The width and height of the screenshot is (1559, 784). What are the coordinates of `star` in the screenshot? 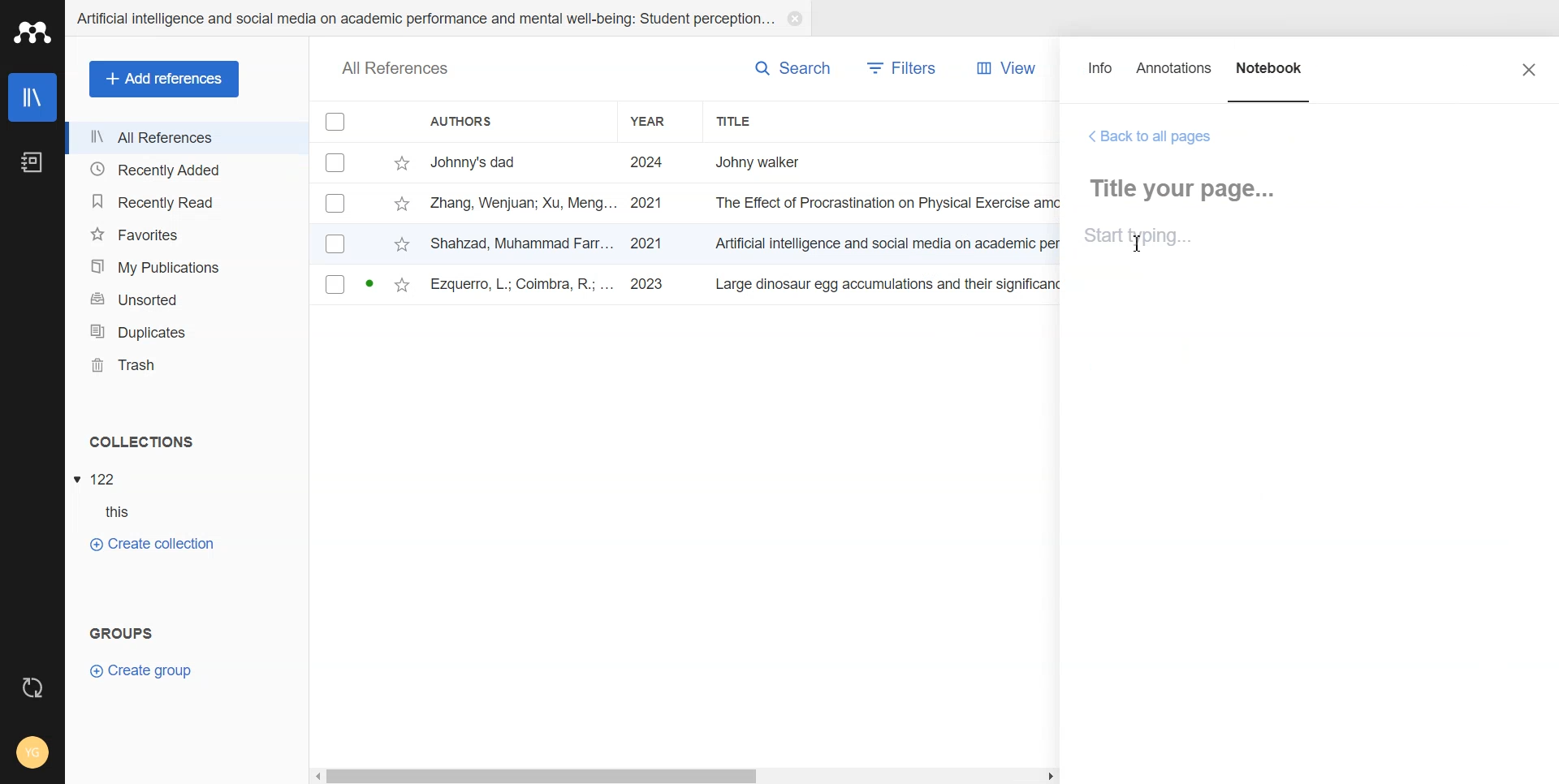 It's located at (402, 286).